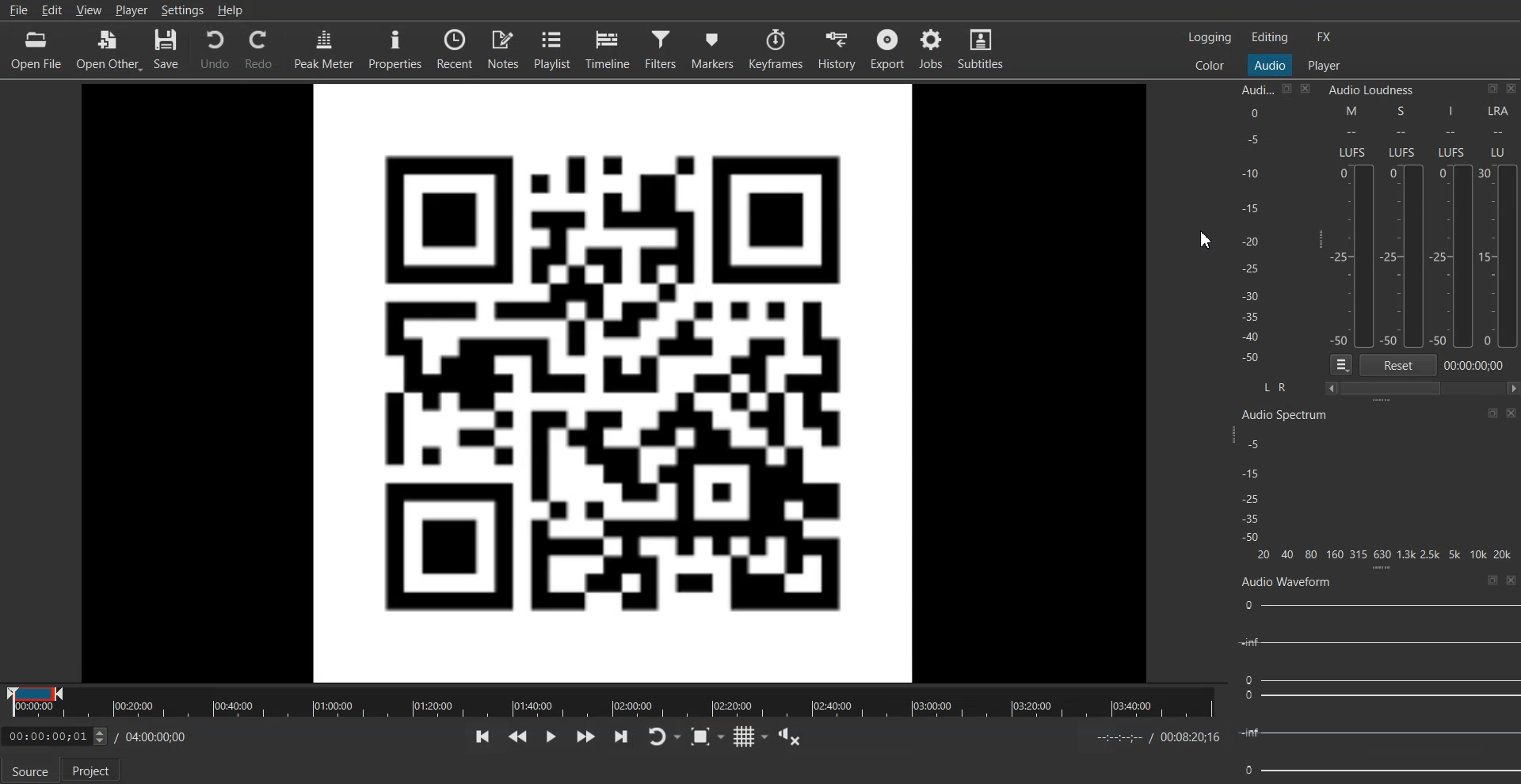 The image size is (1521, 784). I want to click on Undo, so click(216, 50).